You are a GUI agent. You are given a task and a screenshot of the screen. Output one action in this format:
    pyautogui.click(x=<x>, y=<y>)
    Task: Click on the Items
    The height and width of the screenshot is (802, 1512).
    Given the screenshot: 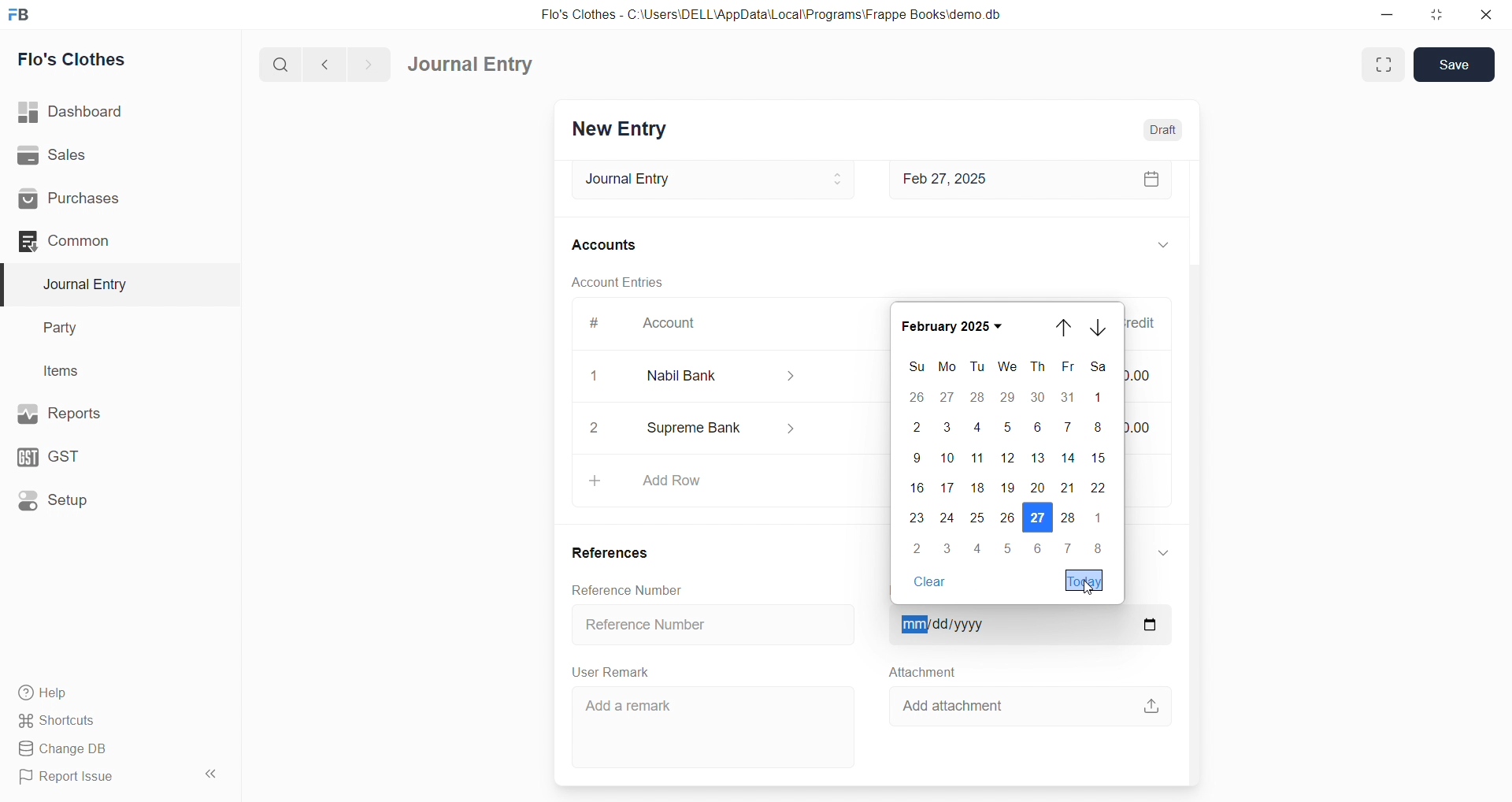 What is the action you would take?
    pyautogui.click(x=67, y=370)
    